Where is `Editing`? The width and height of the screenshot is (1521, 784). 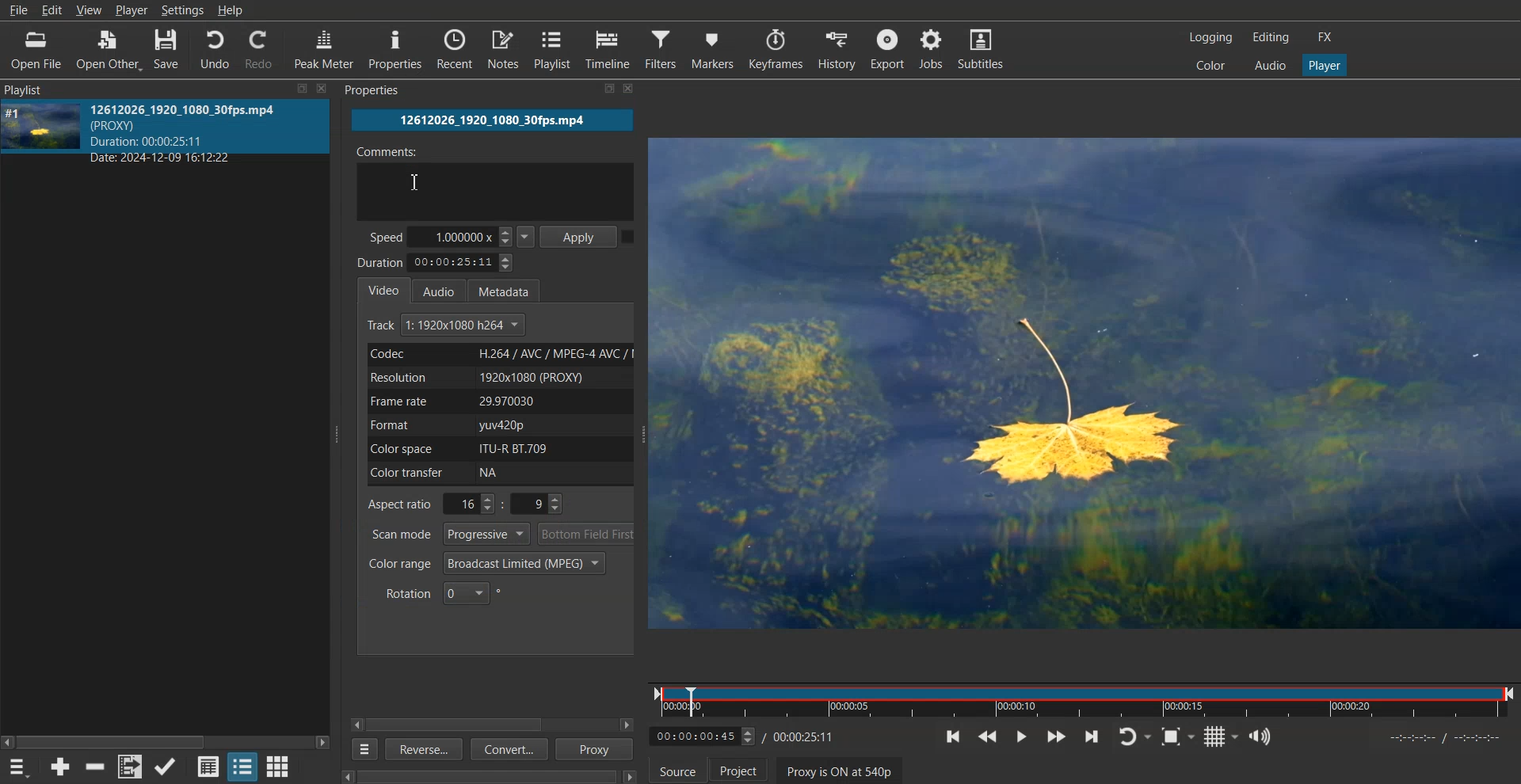
Editing is located at coordinates (1270, 38).